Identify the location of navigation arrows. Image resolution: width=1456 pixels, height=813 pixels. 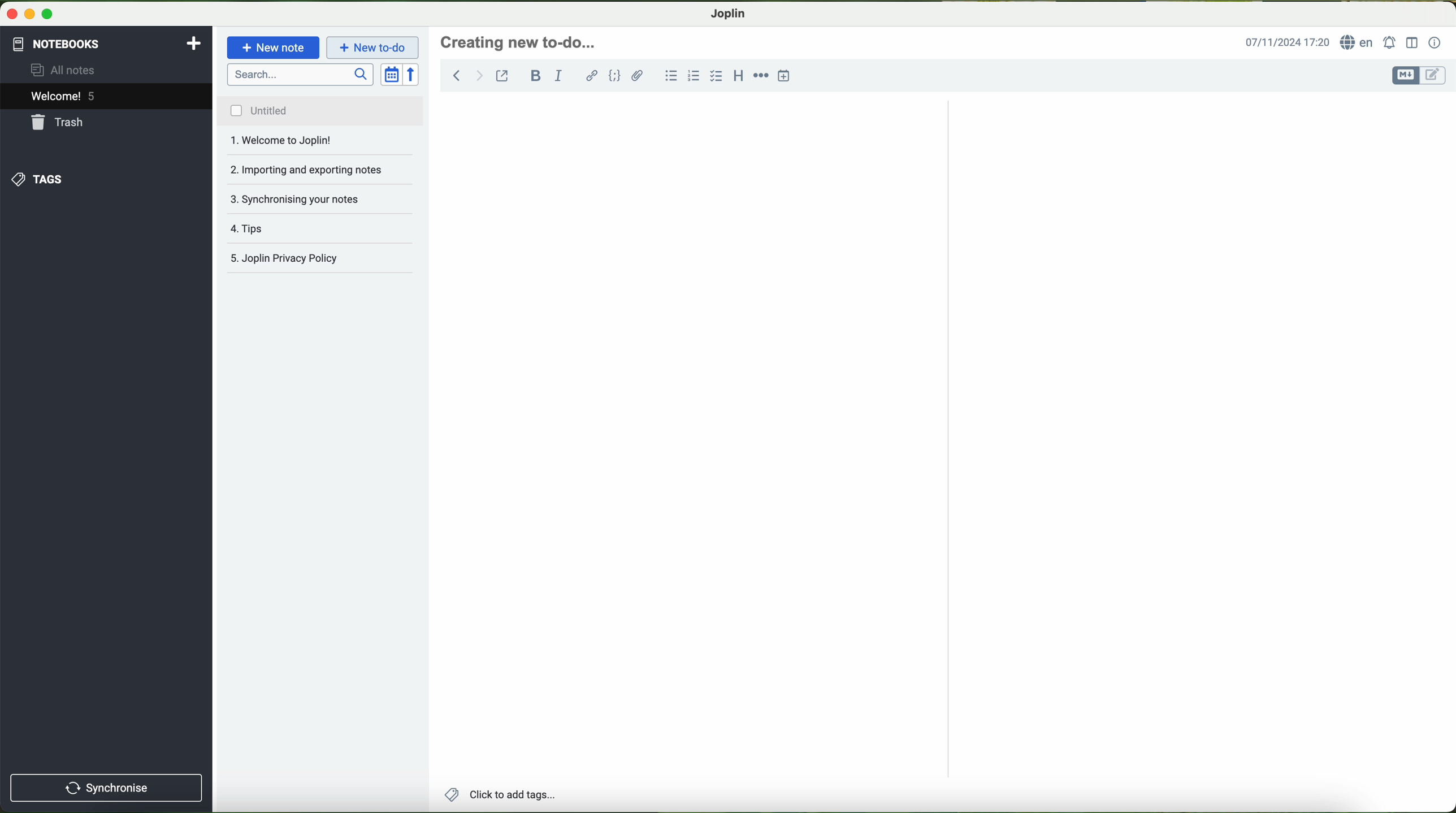
(466, 75).